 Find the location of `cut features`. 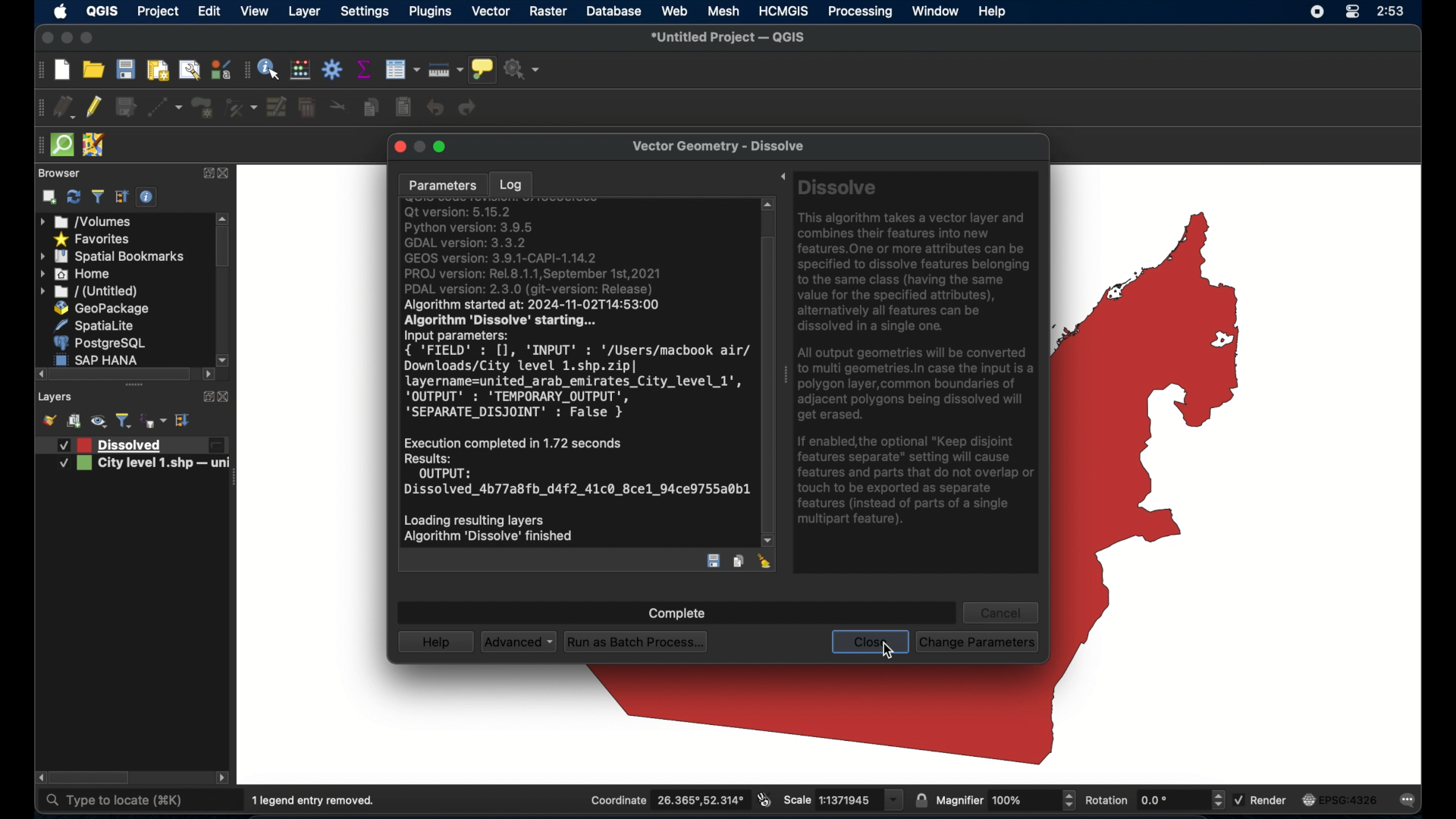

cut features is located at coordinates (337, 106).